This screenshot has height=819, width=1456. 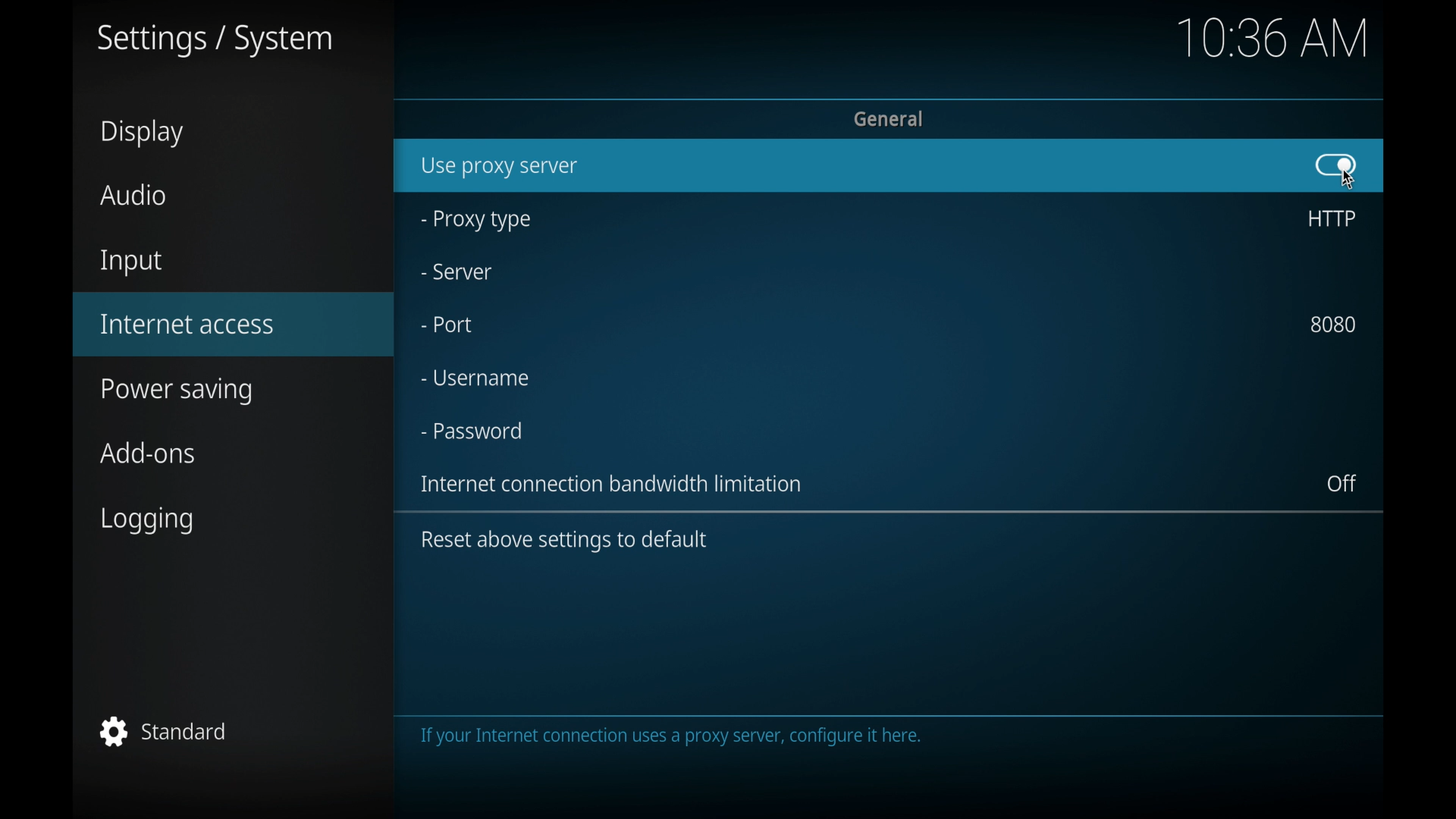 What do you see at coordinates (1334, 324) in the screenshot?
I see `8080` at bounding box center [1334, 324].